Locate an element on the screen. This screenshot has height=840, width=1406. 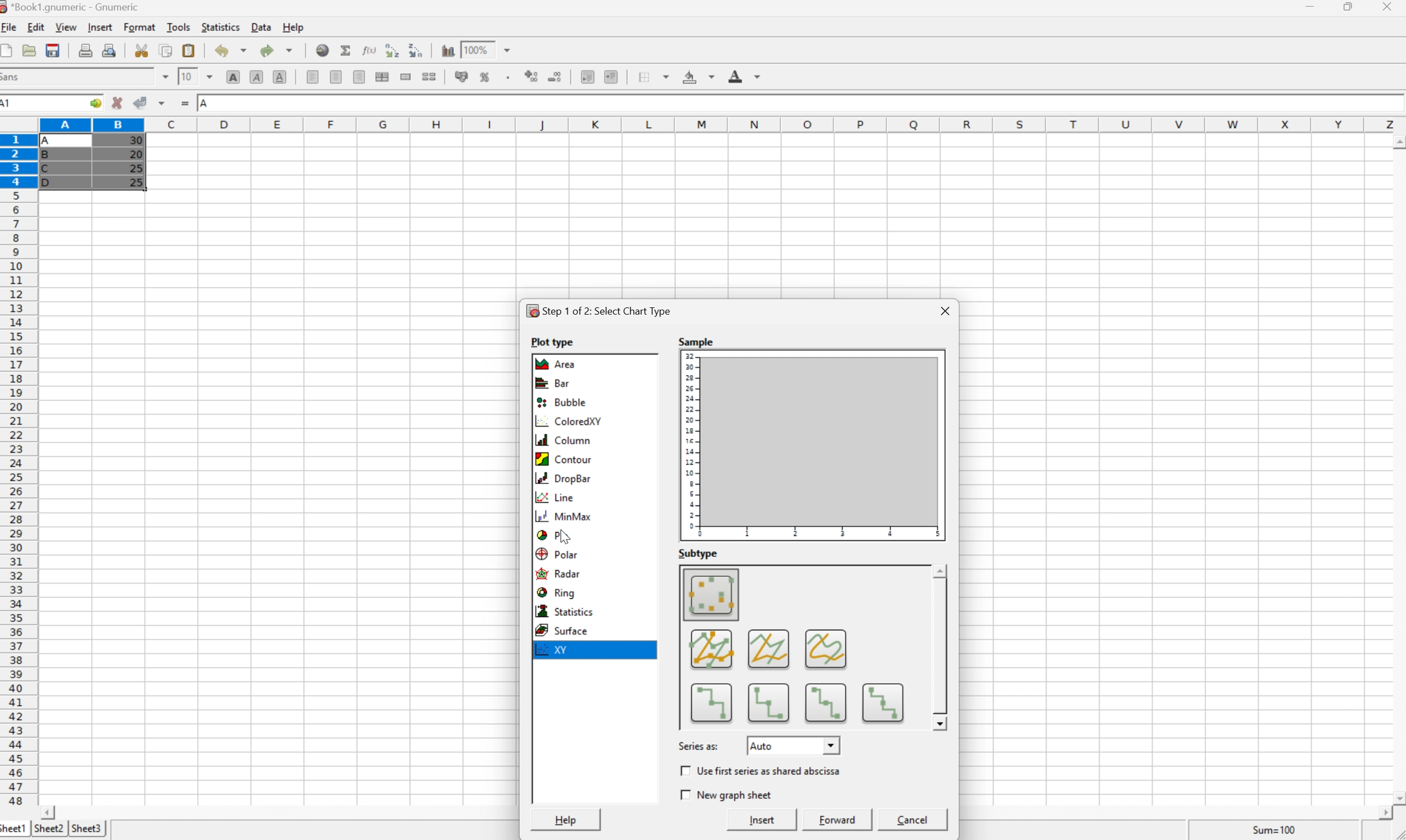
Minimize is located at coordinates (1310, 6).